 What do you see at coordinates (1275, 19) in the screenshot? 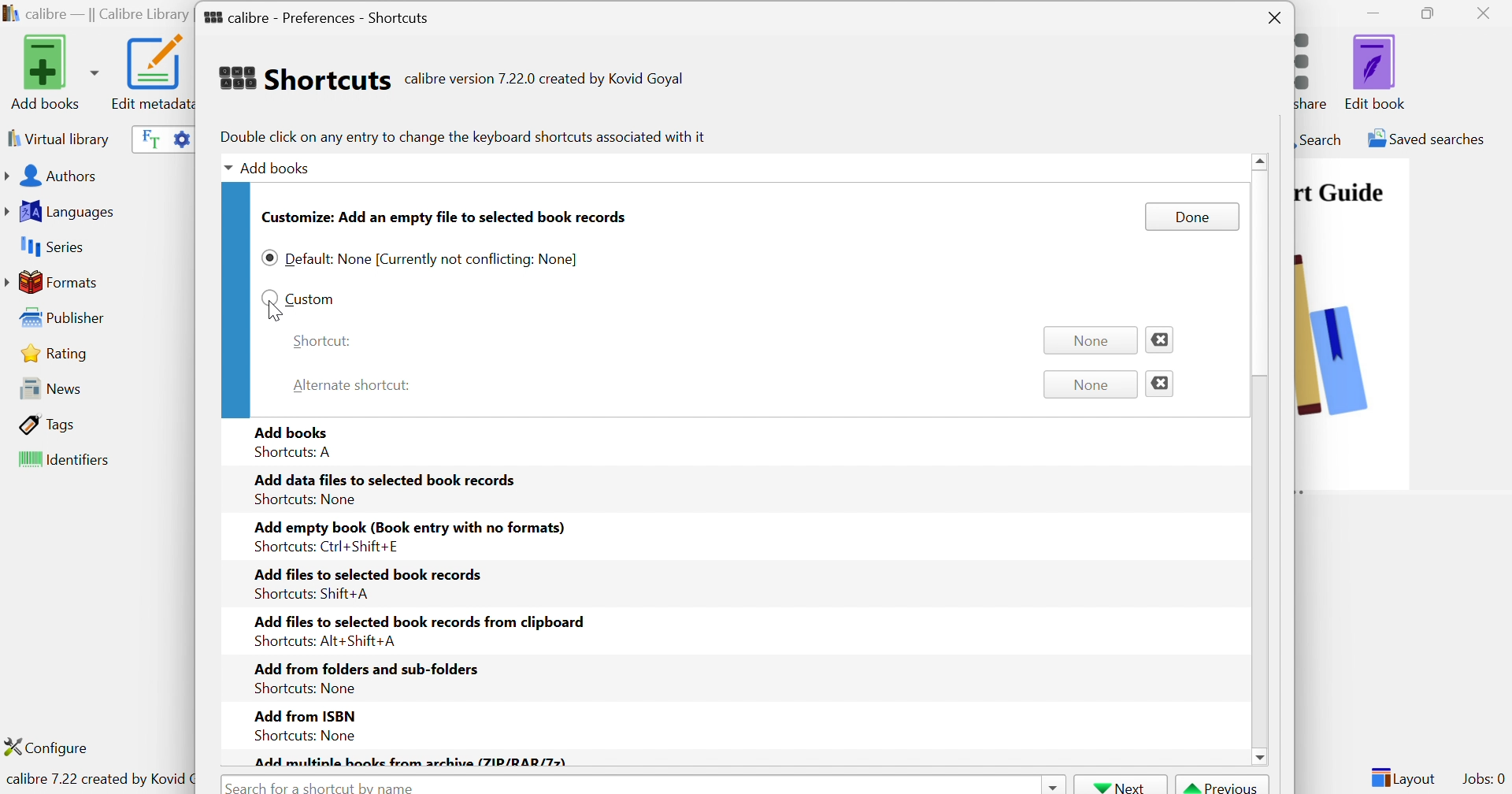
I see `Close` at bounding box center [1275, 19].